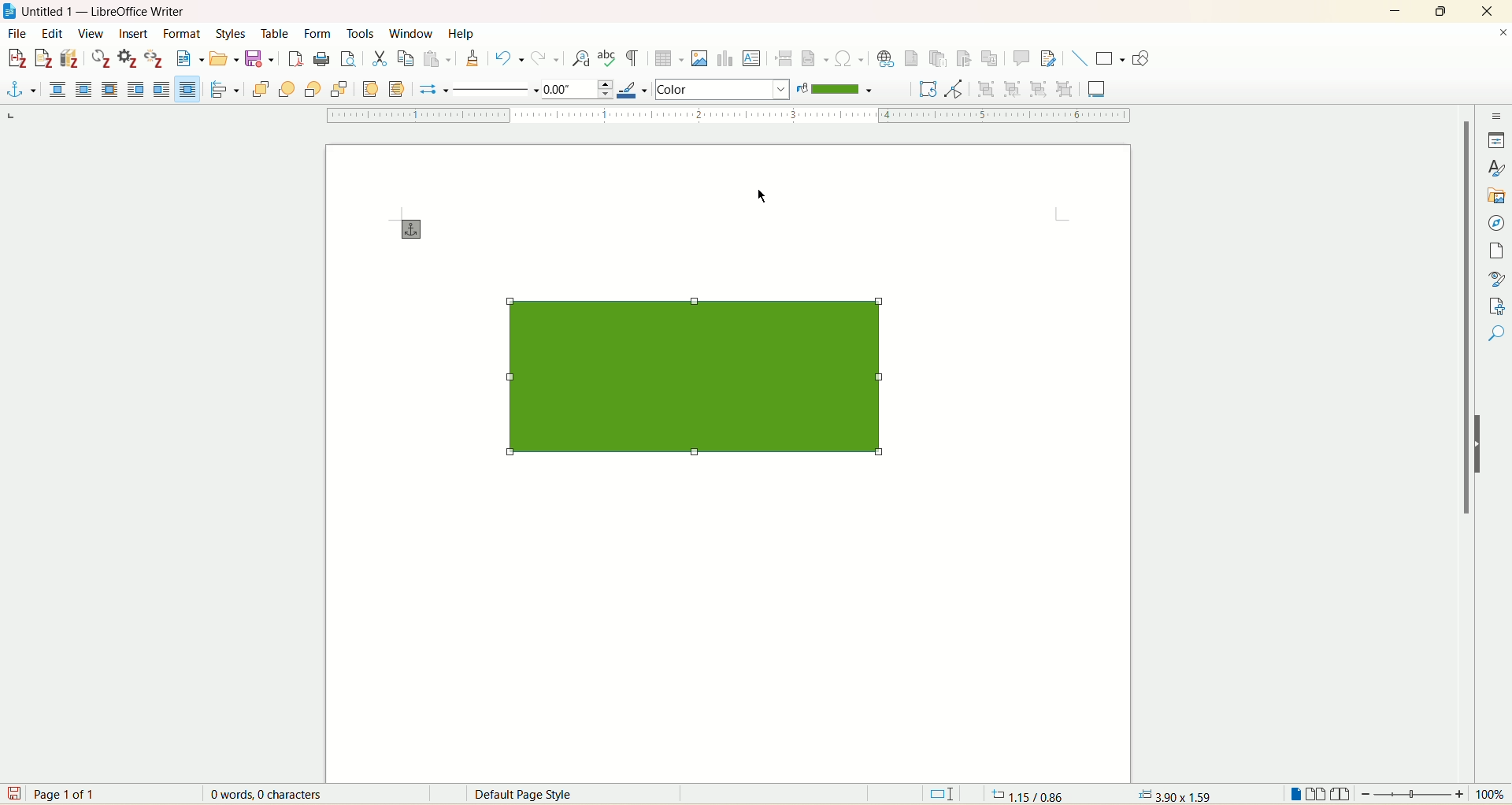 This screenshot has width=1512, height=805. Describe the element at coordinates (361, 33) in the screenshot. I see `tools` at that location.